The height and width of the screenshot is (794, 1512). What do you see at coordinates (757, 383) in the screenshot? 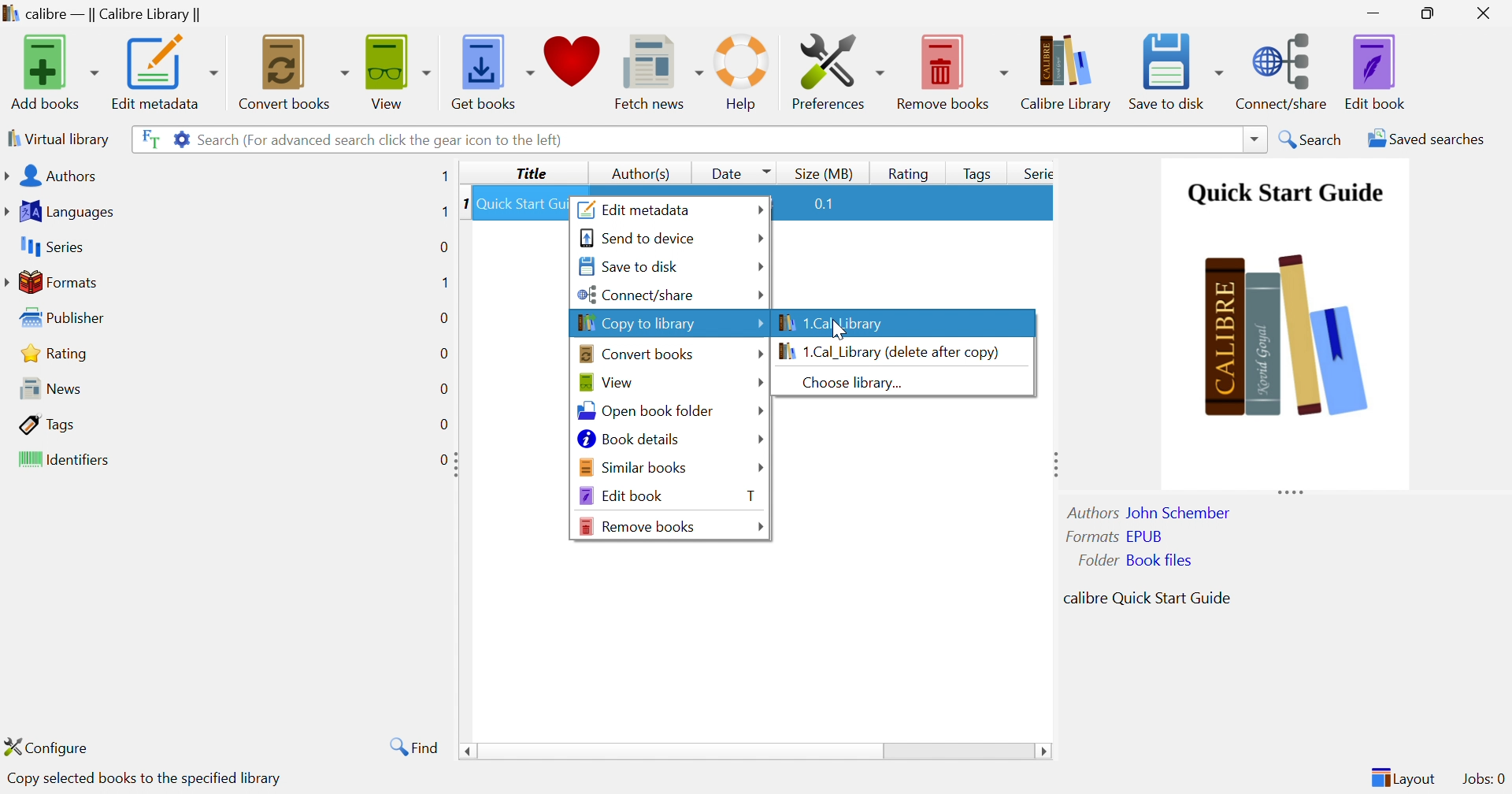
I see `Drop Down` at bounding box center [757, 383].